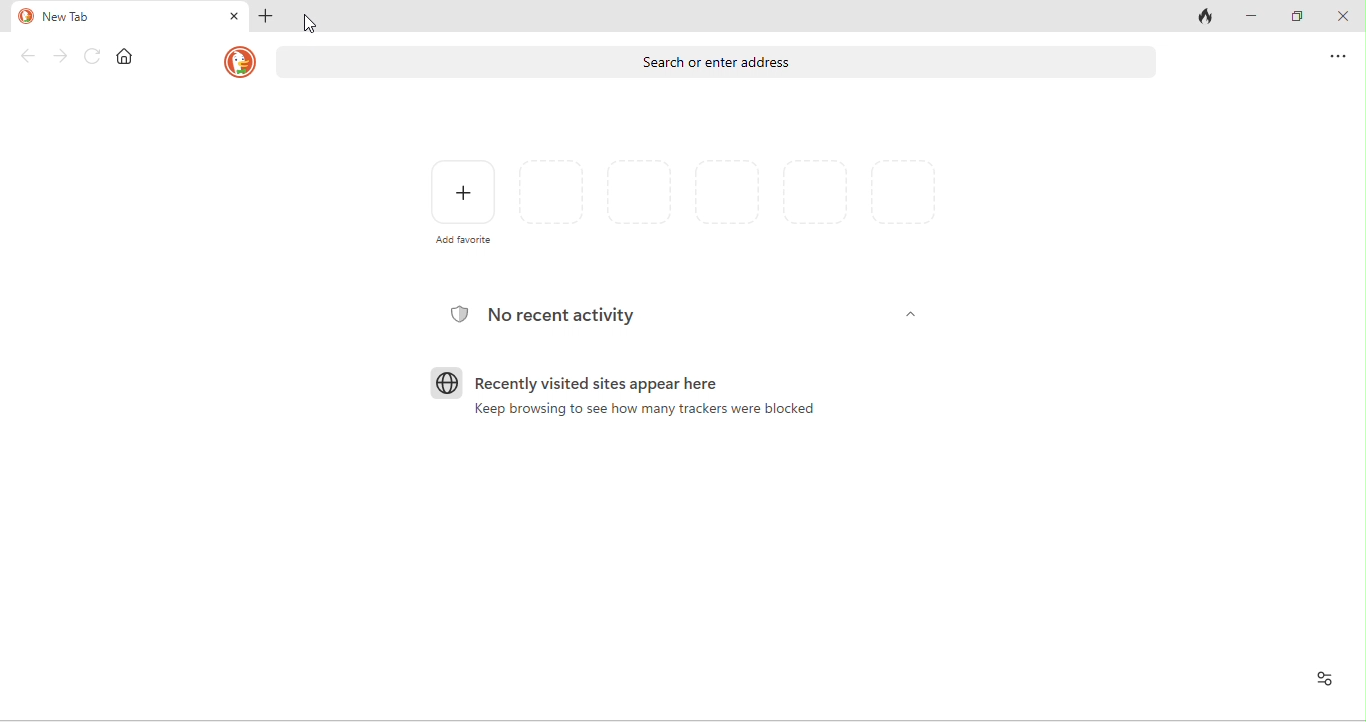  Describe the element at coordinates (653, 382) in the screenshot. I see `recently visited sites apear here` at that location.